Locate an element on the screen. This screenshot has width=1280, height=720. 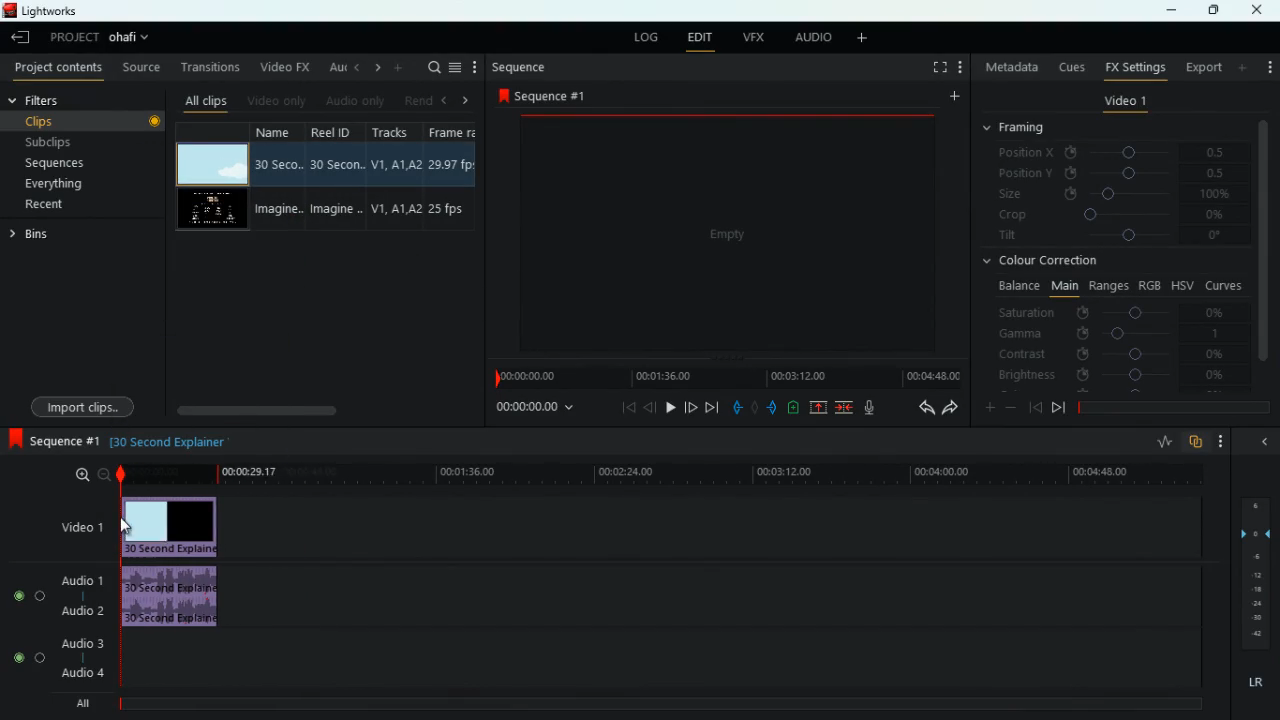
29.97 fbs is located at coordinates (454, 163).